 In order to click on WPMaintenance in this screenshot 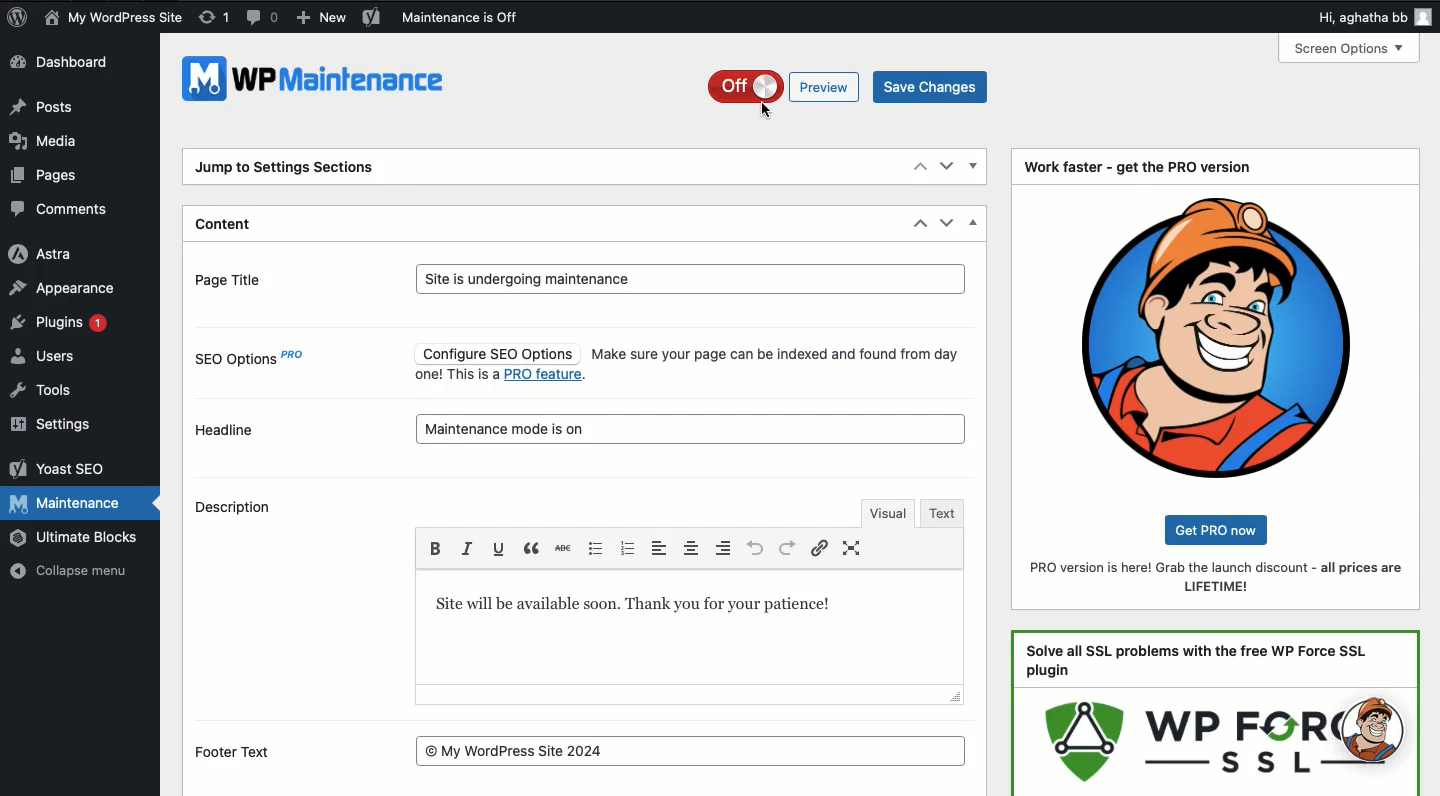, I will do `click(319, 85)`.